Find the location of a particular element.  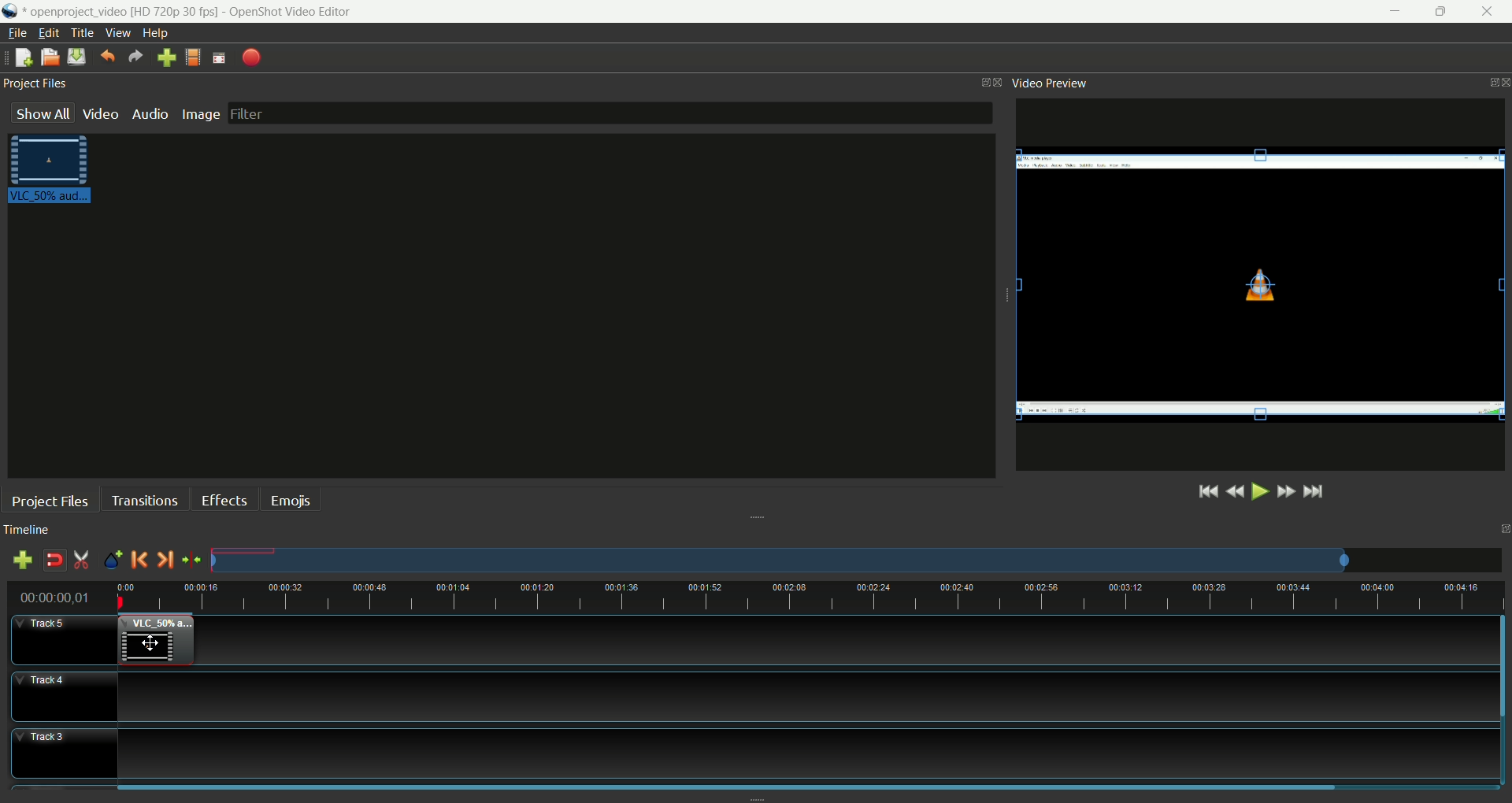

video clip is located at coordinates (53, 171).